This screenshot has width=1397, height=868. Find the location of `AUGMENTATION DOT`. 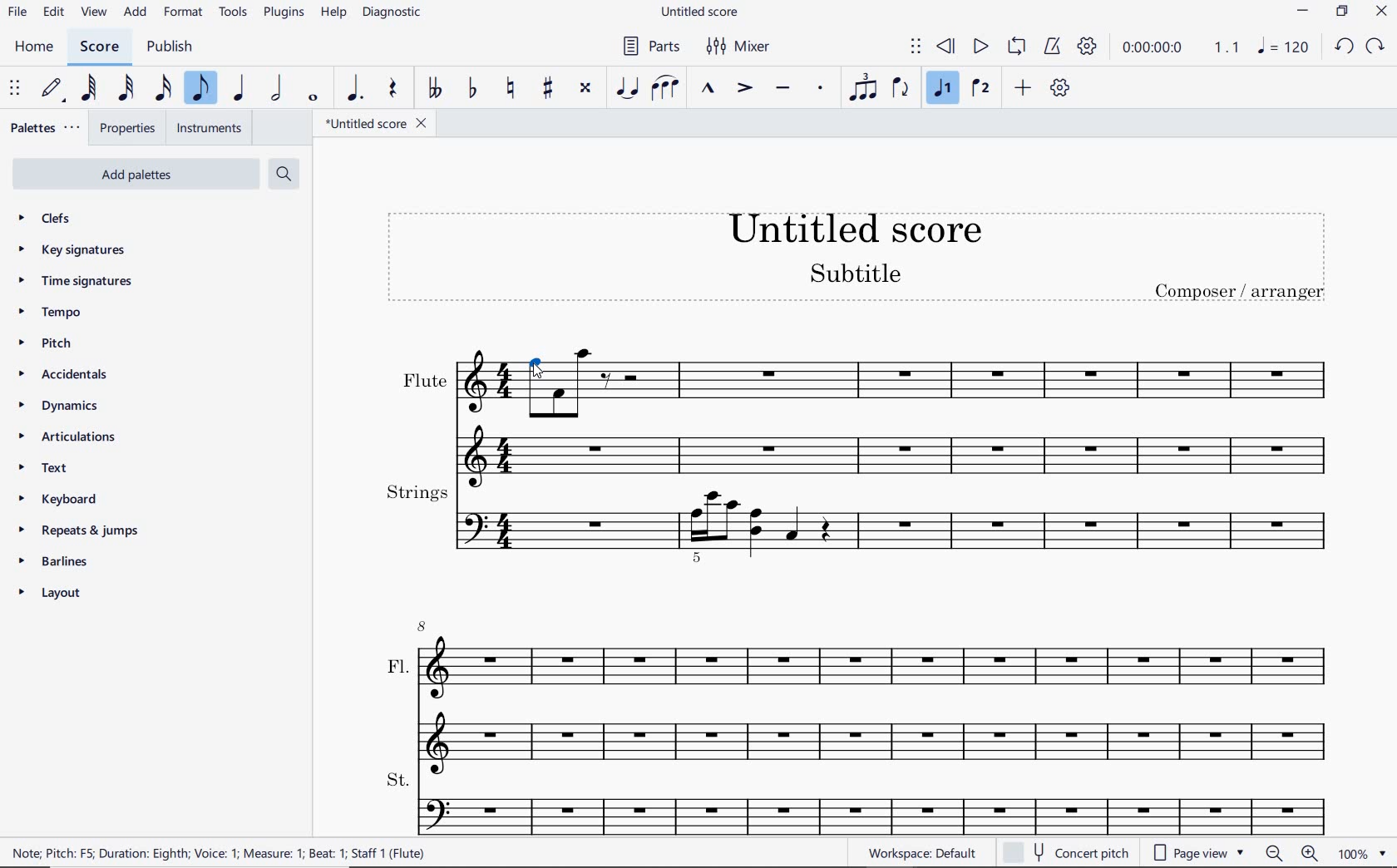

AUGMENTATION DOT is located at coordinates (355, 89).